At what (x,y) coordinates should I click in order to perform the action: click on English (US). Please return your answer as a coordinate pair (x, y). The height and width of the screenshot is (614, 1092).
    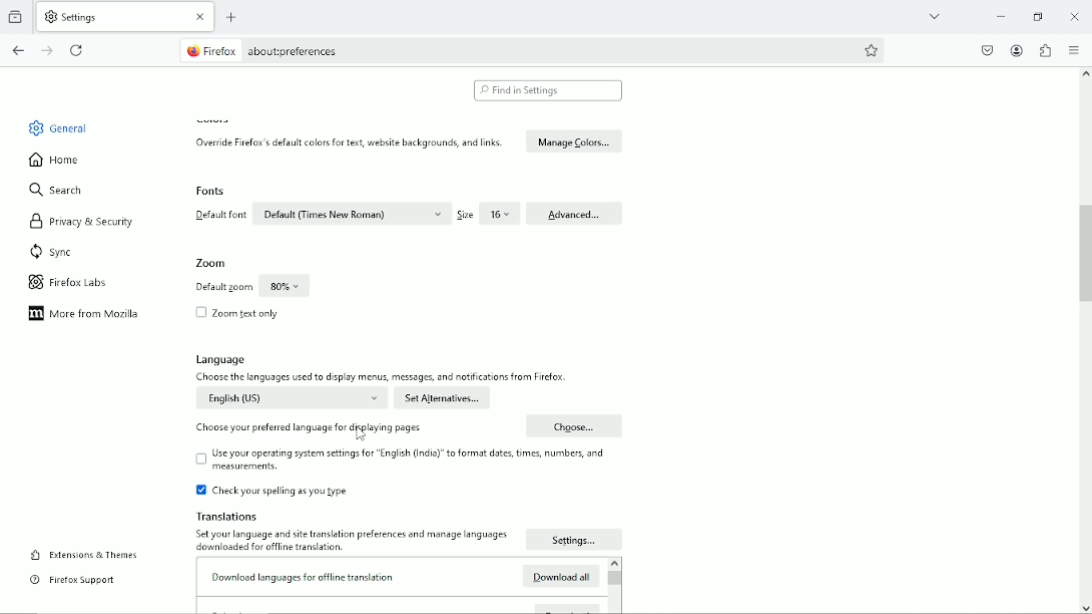
    Looking at the image, I should click on (291, 398).